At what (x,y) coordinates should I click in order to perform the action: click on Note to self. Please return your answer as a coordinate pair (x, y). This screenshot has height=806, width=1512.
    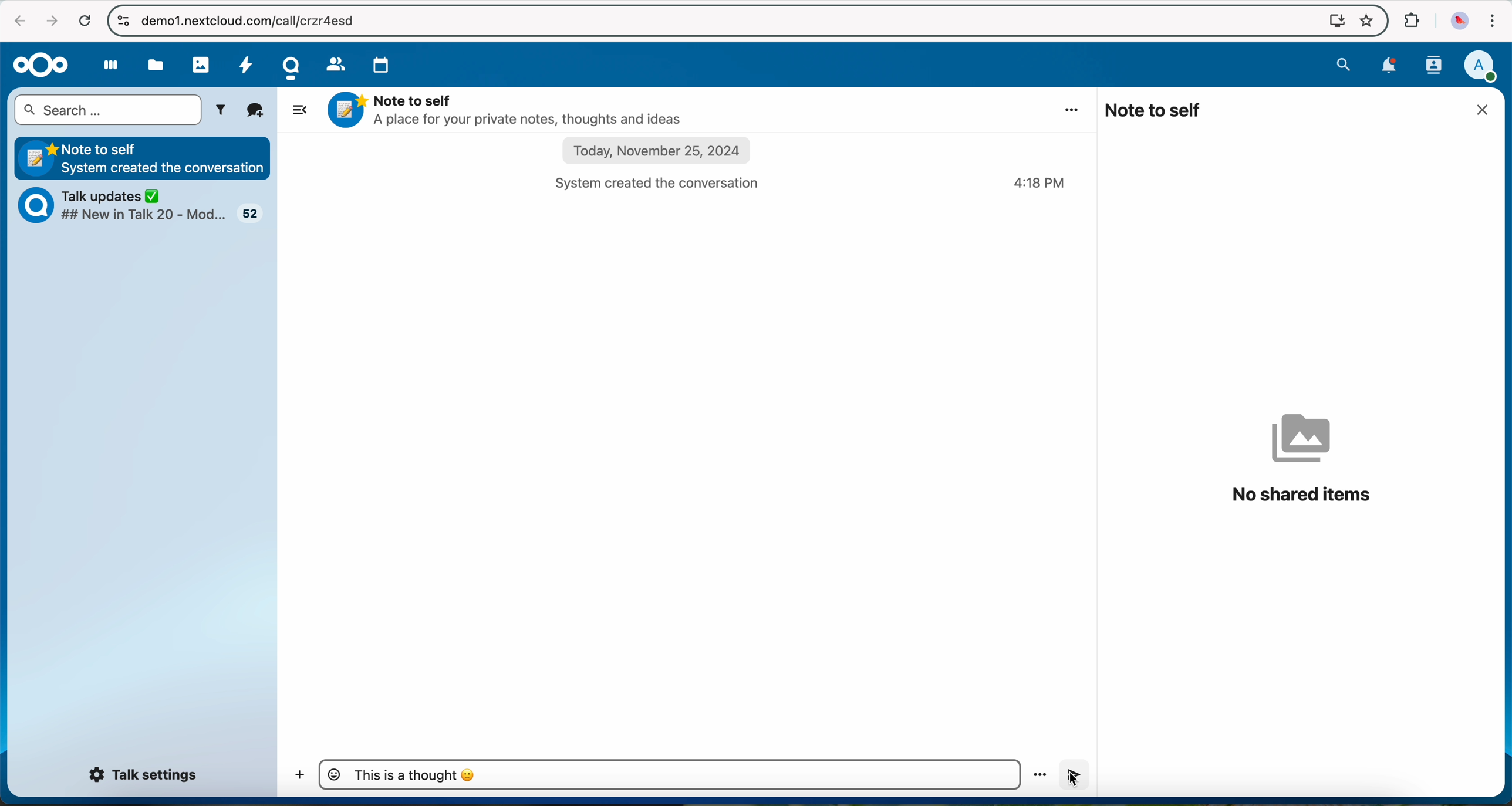
    Looking at the image, I should click on (144, 157).